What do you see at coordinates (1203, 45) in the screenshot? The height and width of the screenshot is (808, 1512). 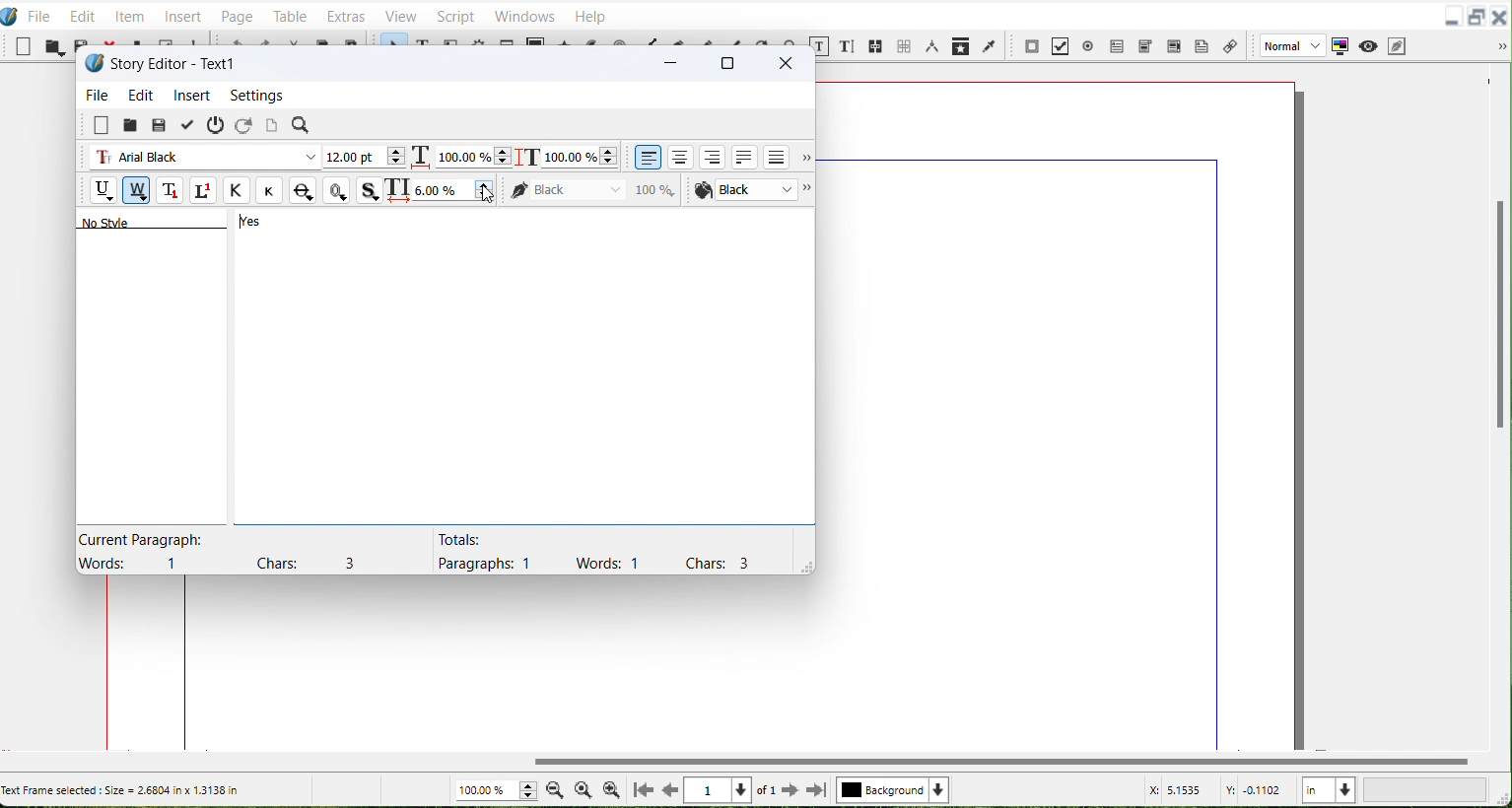 I see `Text Annotation` at bounding box center [1203, 45].